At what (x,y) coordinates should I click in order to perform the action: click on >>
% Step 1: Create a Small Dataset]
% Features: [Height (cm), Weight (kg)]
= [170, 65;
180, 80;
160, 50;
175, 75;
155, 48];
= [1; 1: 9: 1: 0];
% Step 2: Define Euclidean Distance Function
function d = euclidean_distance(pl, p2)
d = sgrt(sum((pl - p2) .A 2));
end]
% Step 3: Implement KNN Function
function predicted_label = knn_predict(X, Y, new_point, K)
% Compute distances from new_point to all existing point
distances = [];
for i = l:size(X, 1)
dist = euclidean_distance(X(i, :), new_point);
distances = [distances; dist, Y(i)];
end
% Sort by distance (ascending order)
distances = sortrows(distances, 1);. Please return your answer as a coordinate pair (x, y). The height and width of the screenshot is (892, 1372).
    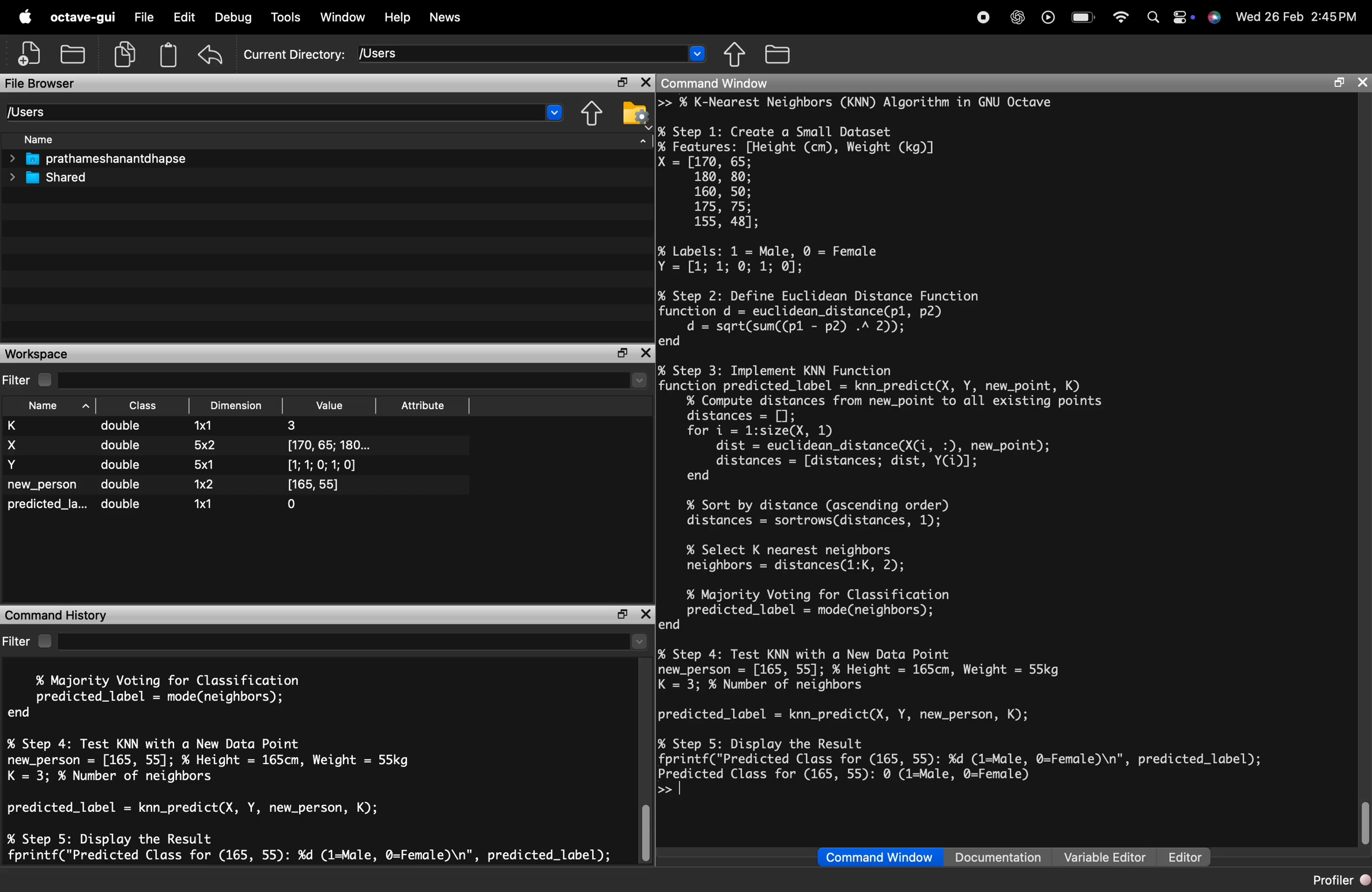
    Looking at the image, I should click on (923, 311).